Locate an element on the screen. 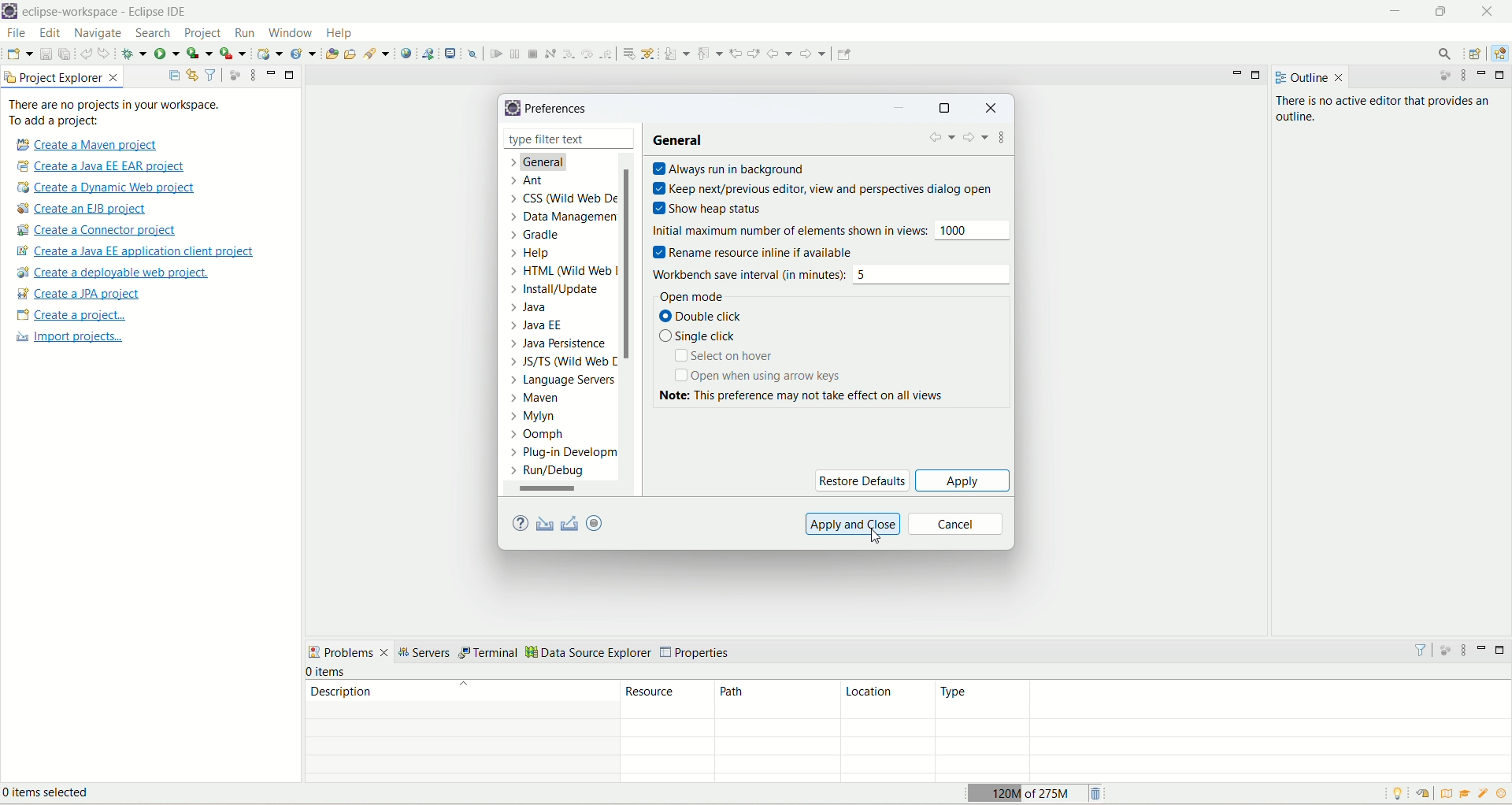 The image size is (1512, 805). debug is located at coordinates (134, 54).